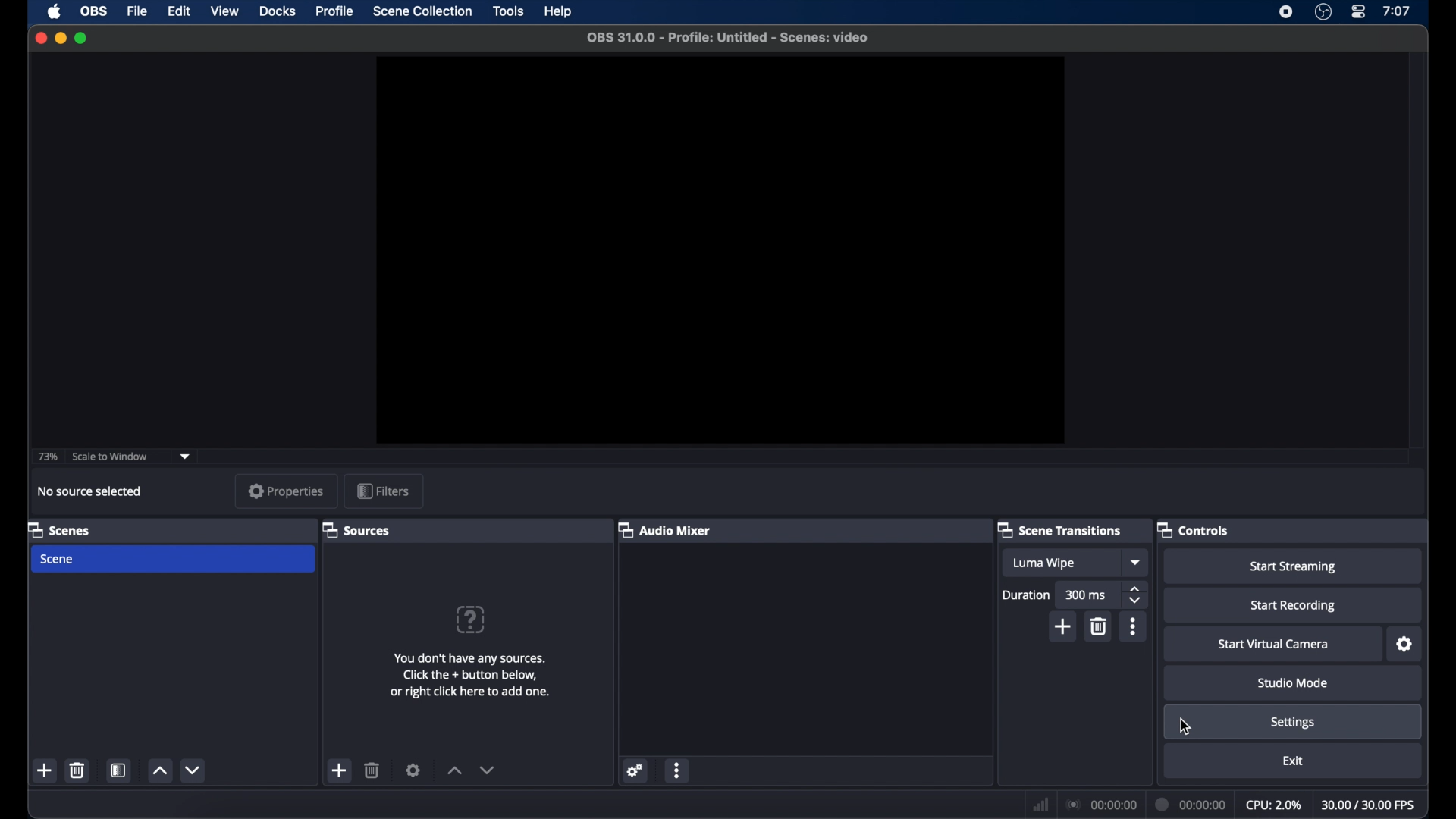 The height and width of the screenshot is (819, 1456). Describe the element at coordinates (1043, 563) in the screenshot. I see `luma wipe` at that location.